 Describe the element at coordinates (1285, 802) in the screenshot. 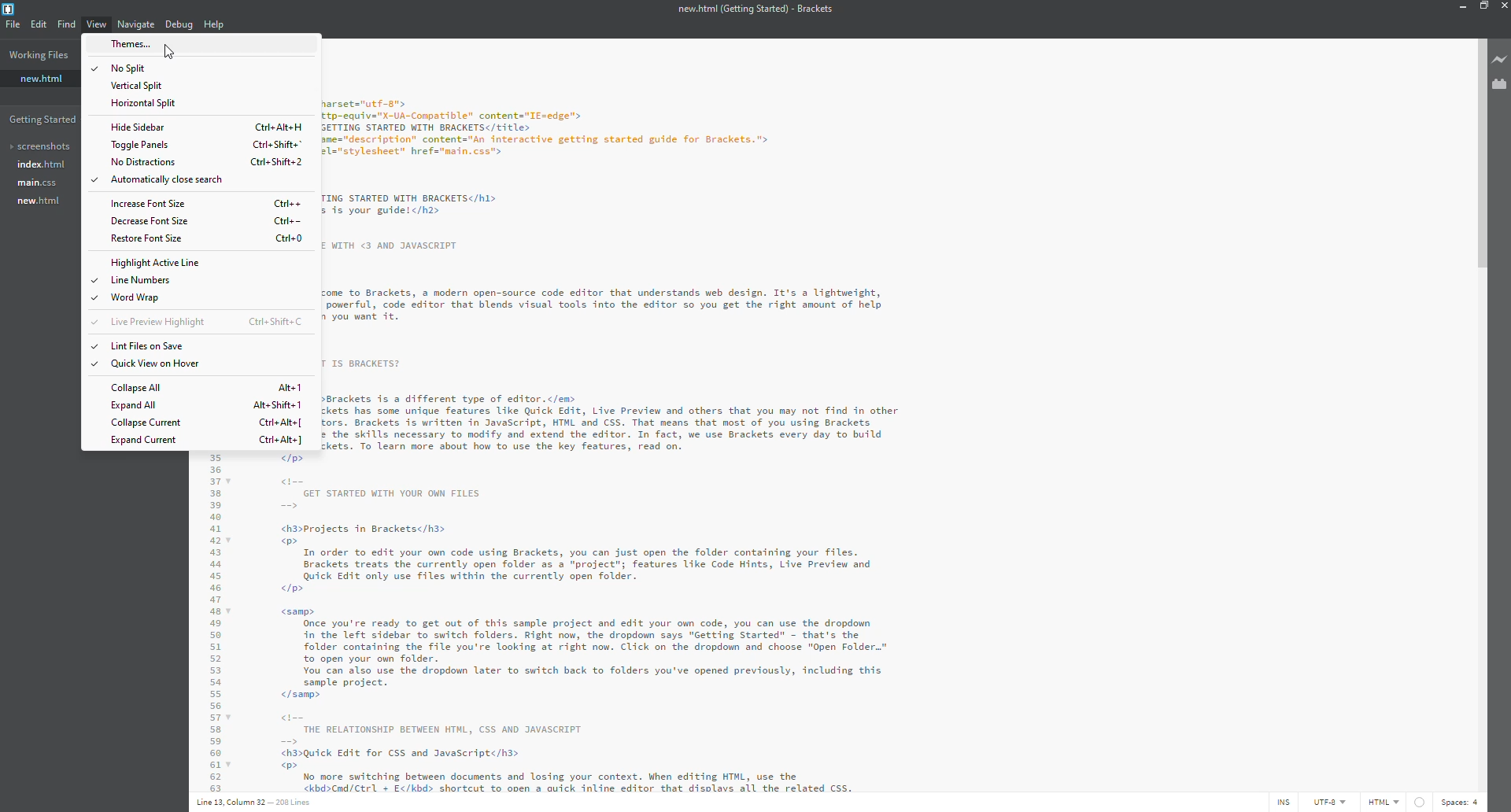

I see `ins` at that location.